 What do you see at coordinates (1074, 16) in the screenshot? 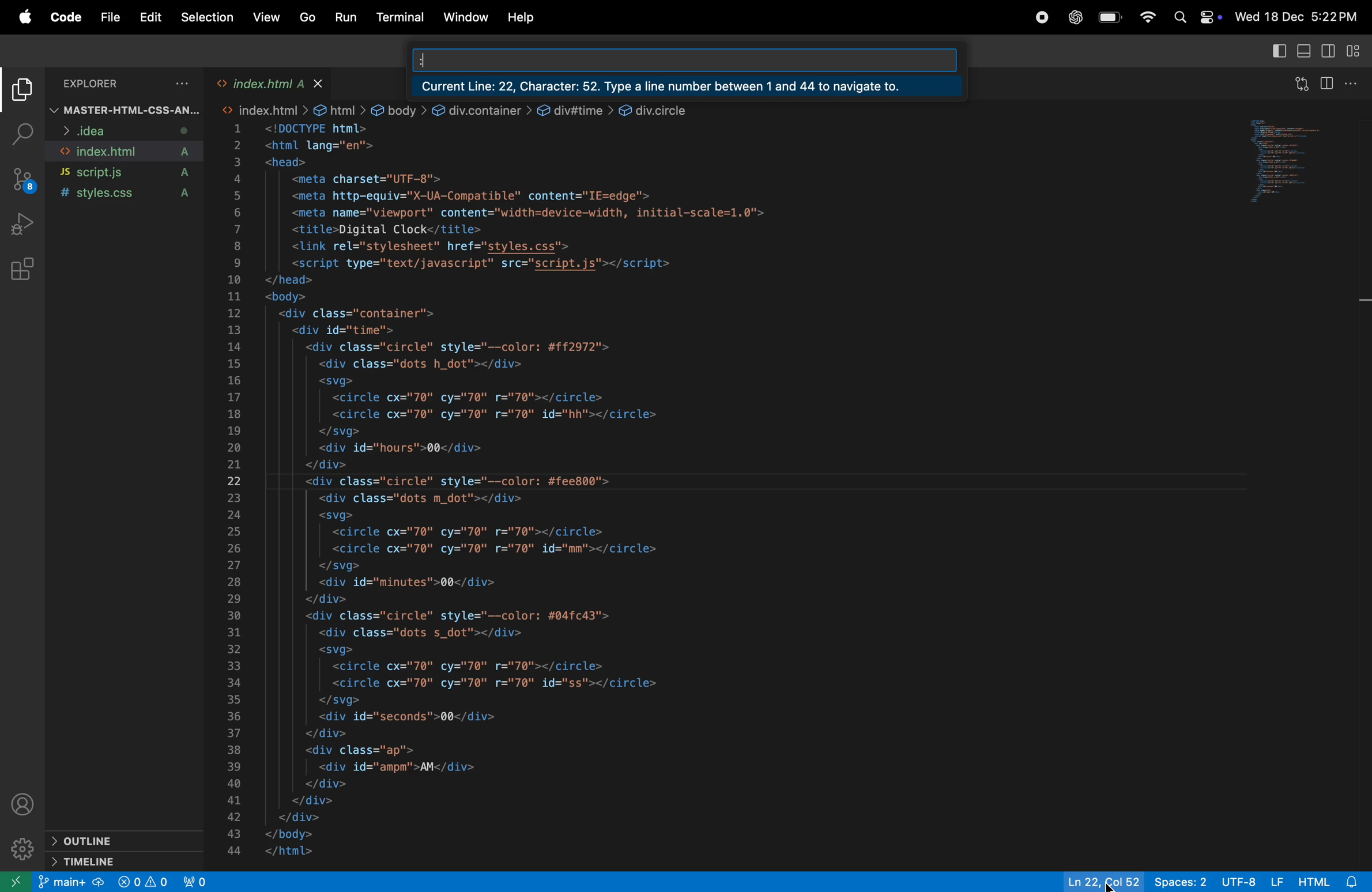
I see `chatgpt` at bounding box center [1074, 16].